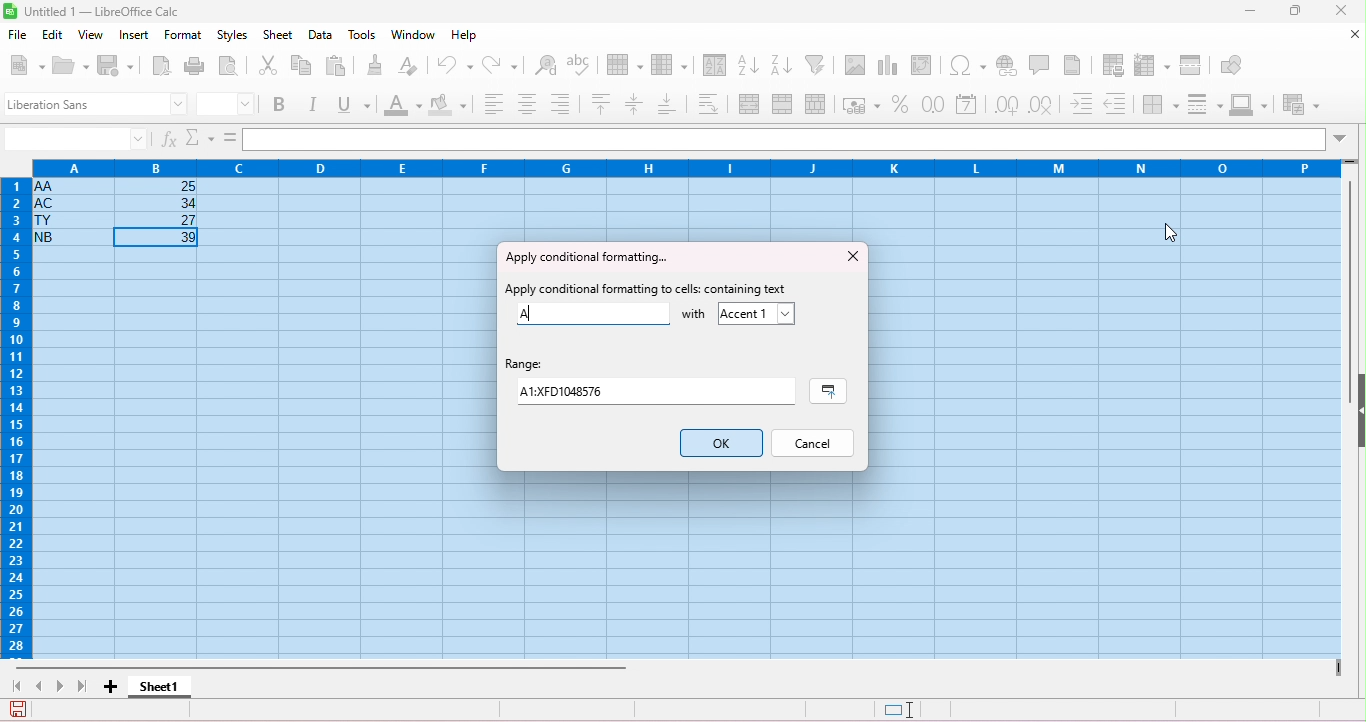  I want to click on insert, so click(133, 35).